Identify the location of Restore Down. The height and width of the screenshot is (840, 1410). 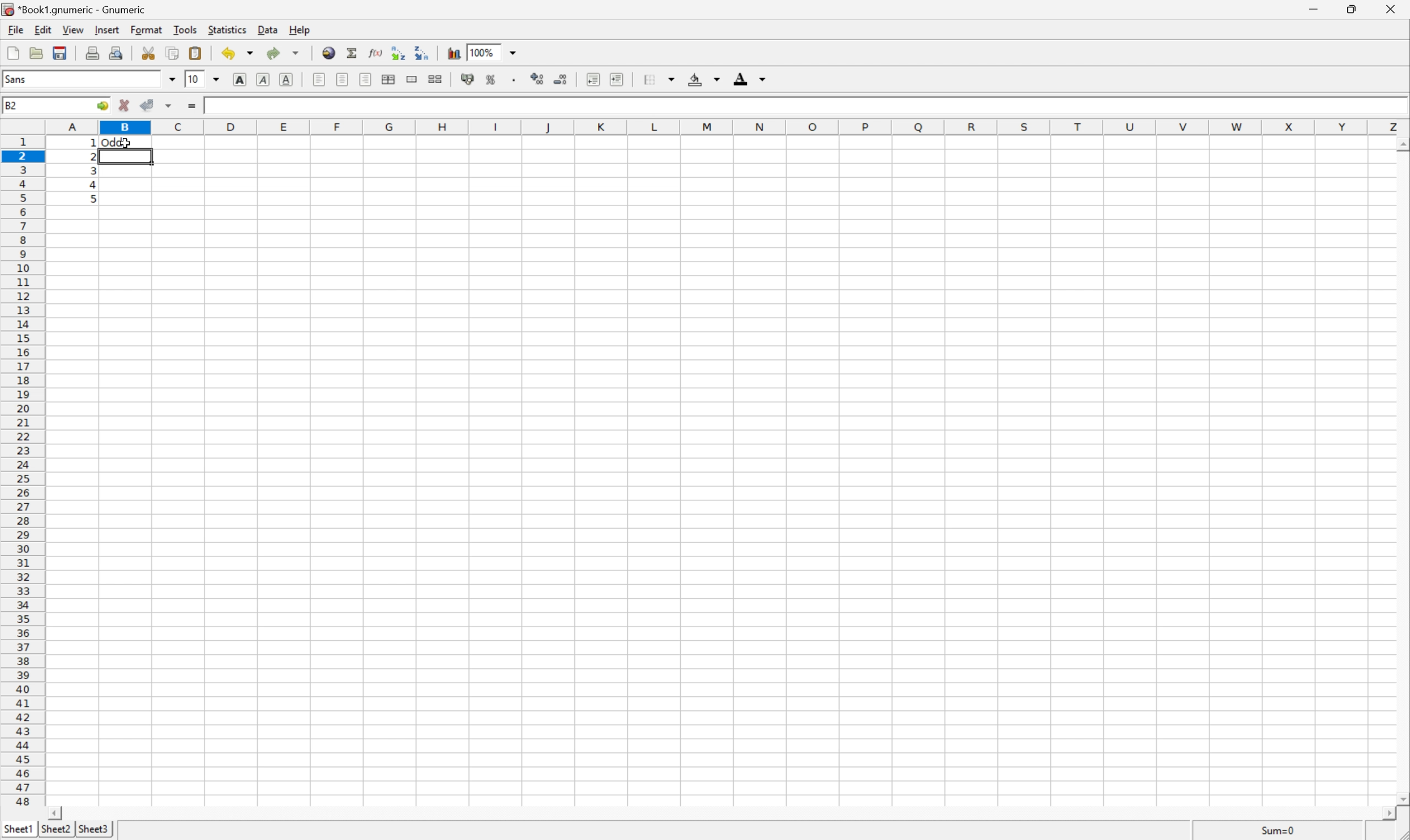
(1354, 7).